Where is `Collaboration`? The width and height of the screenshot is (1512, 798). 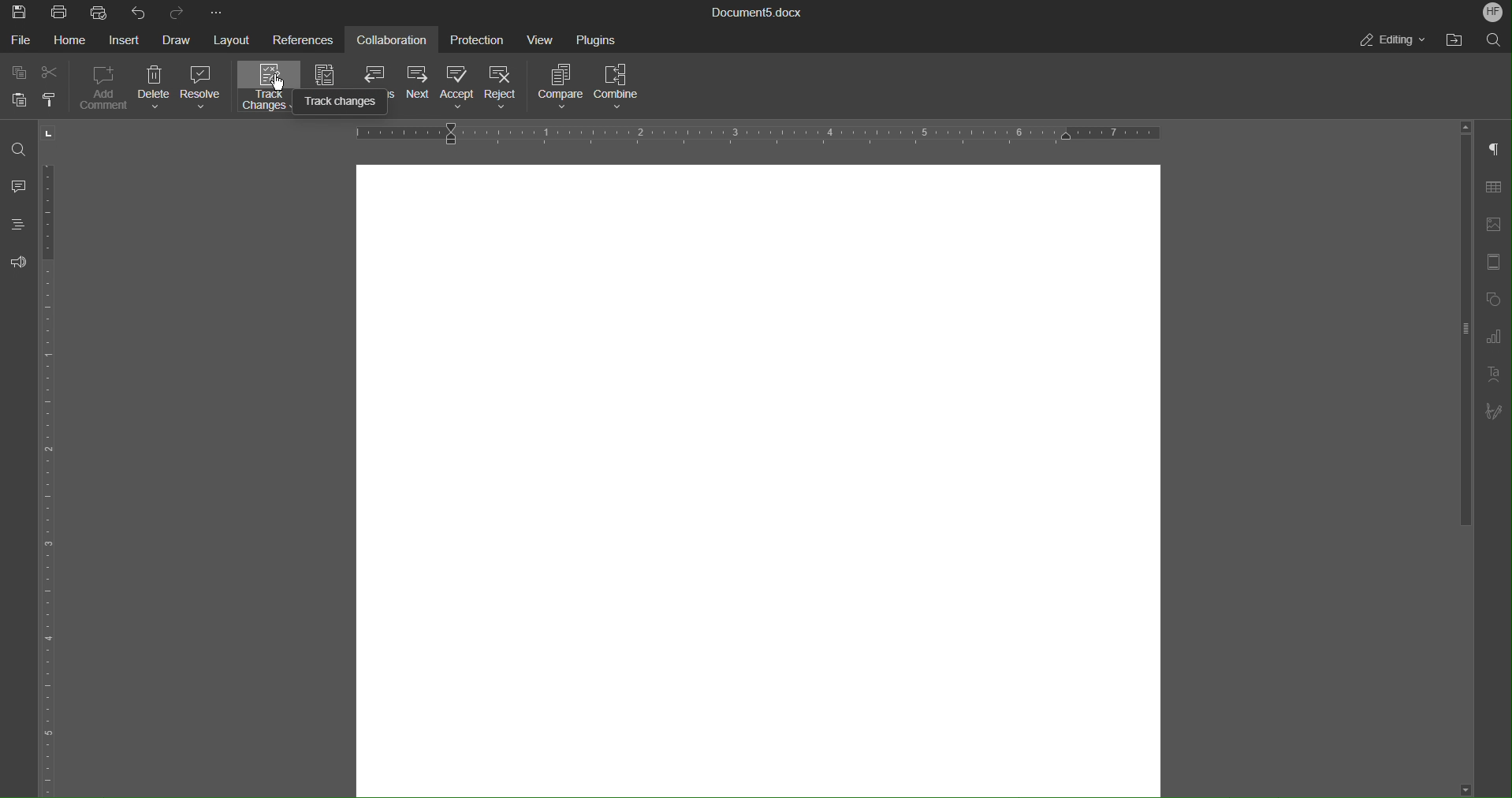
Collaboration is located at coordinates (398, 40).